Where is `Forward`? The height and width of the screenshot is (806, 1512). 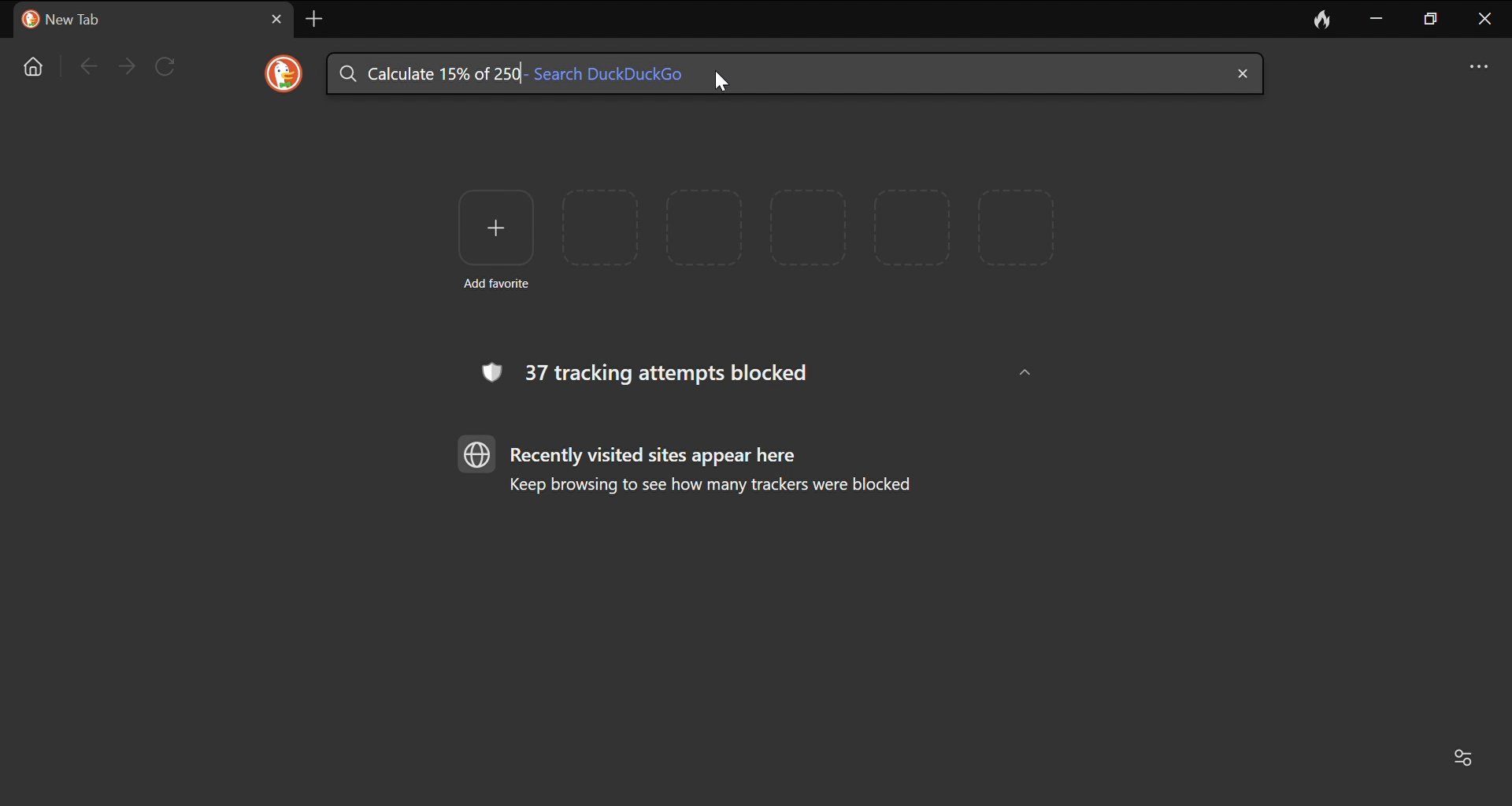
Forward is located at coordinates (127, 66).